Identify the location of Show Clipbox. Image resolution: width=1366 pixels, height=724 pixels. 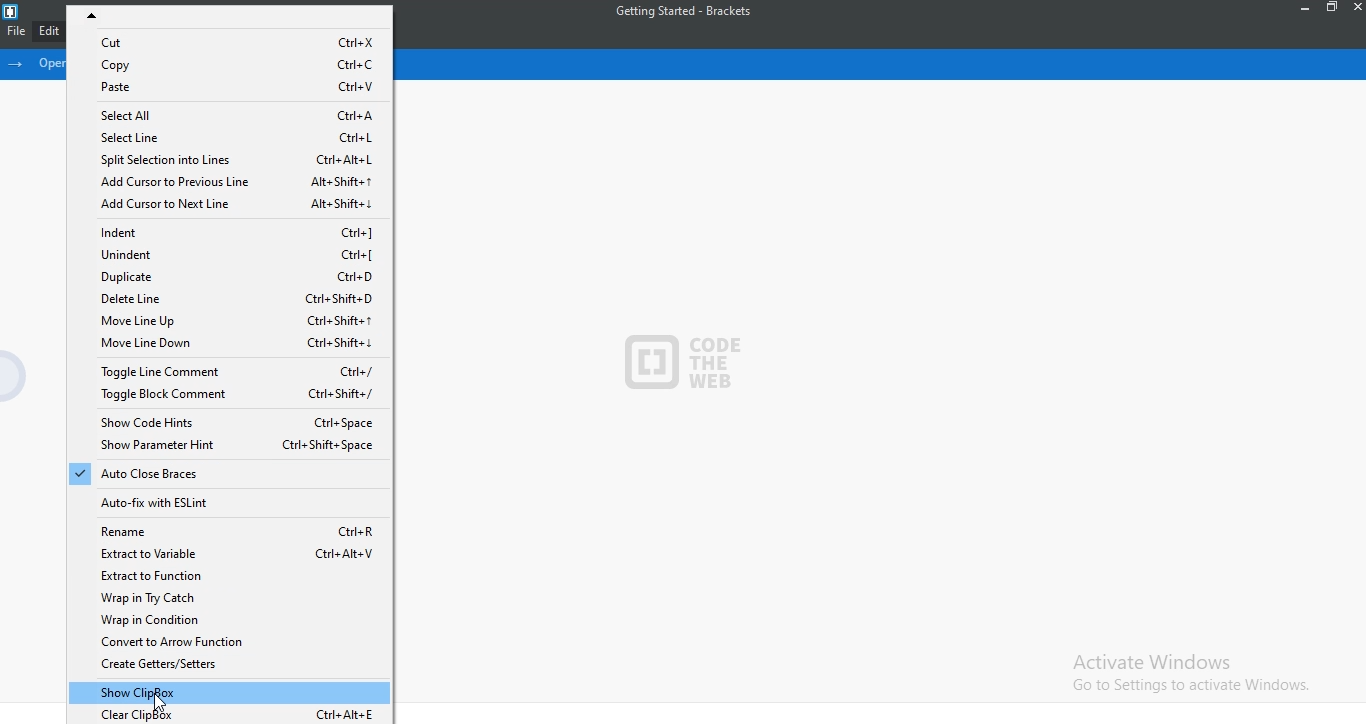
(232, 693).